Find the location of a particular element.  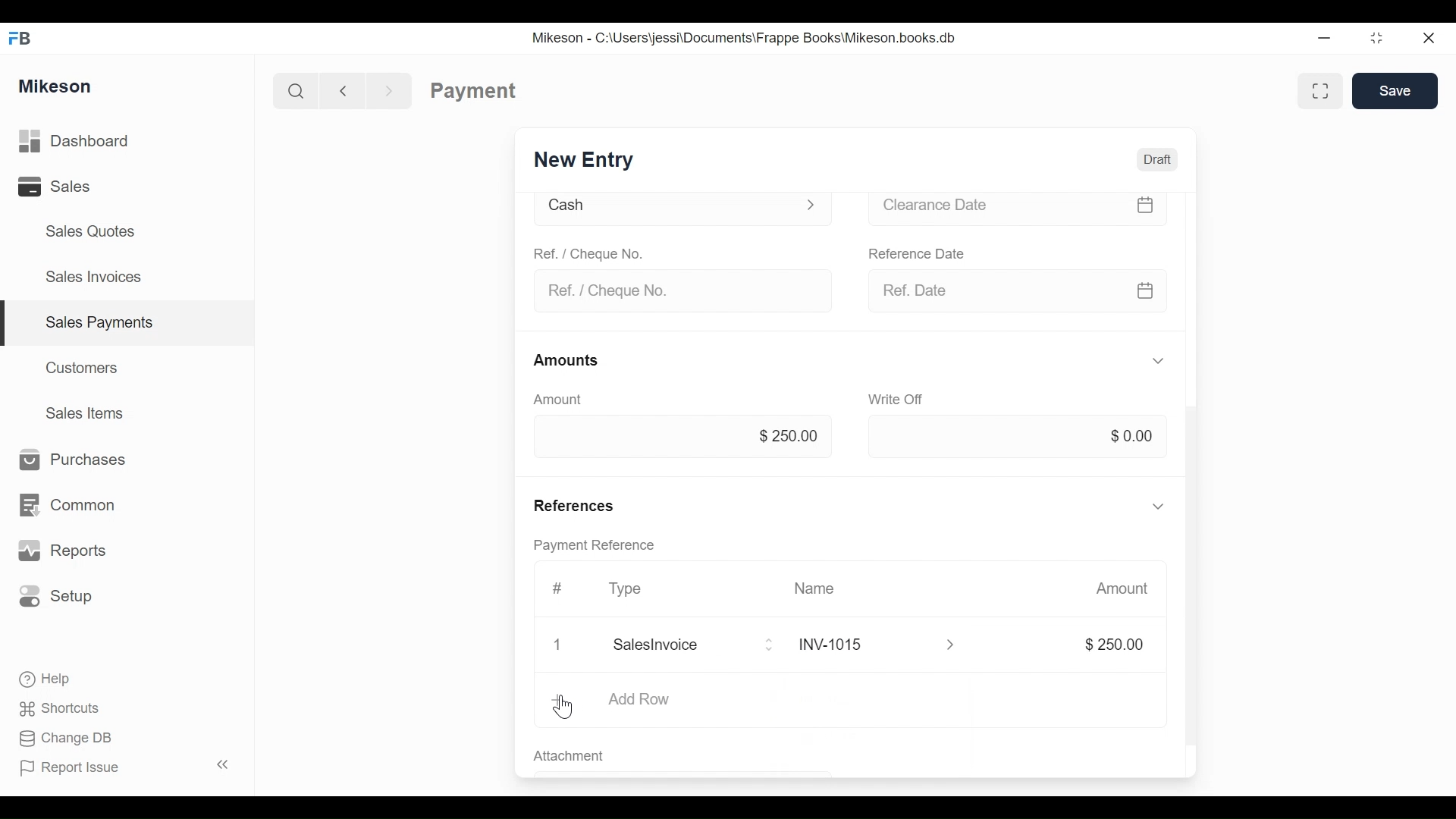

Hide is located at coordinates (1158, 360).